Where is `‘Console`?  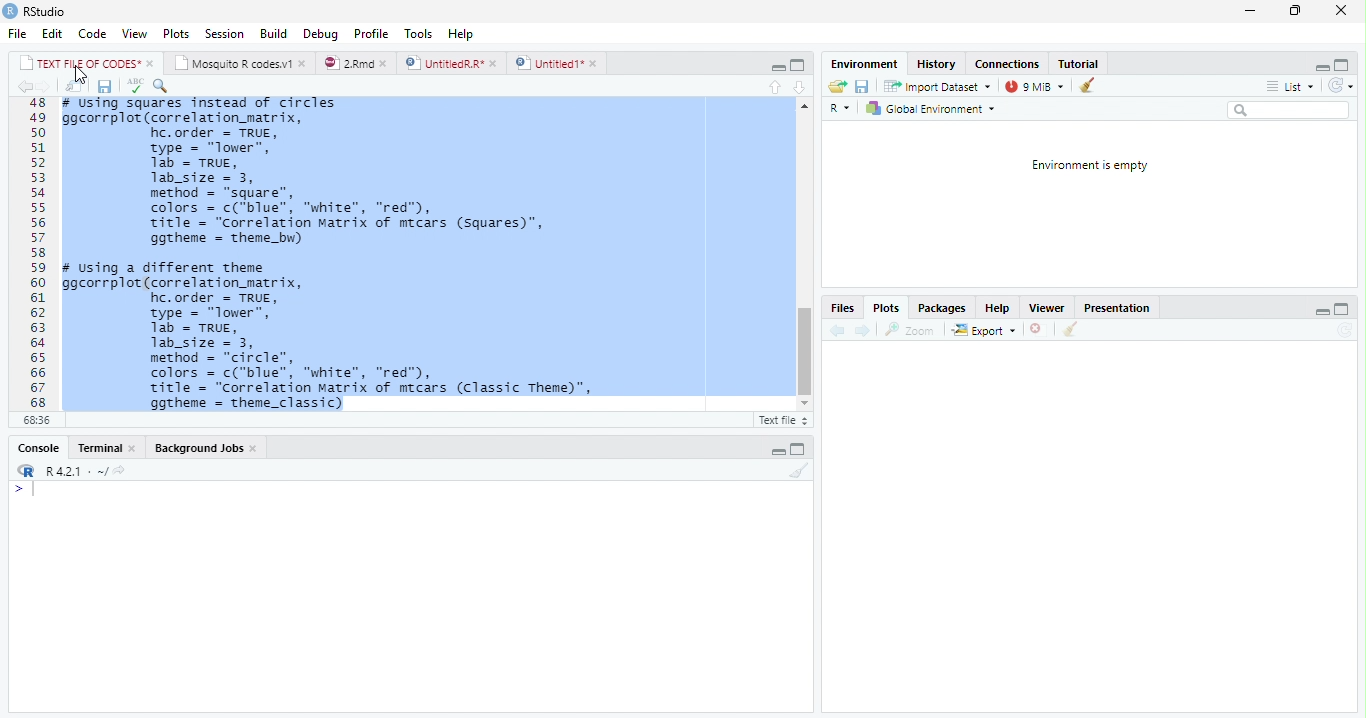 ‘Console is located at coordinates (33, 450).